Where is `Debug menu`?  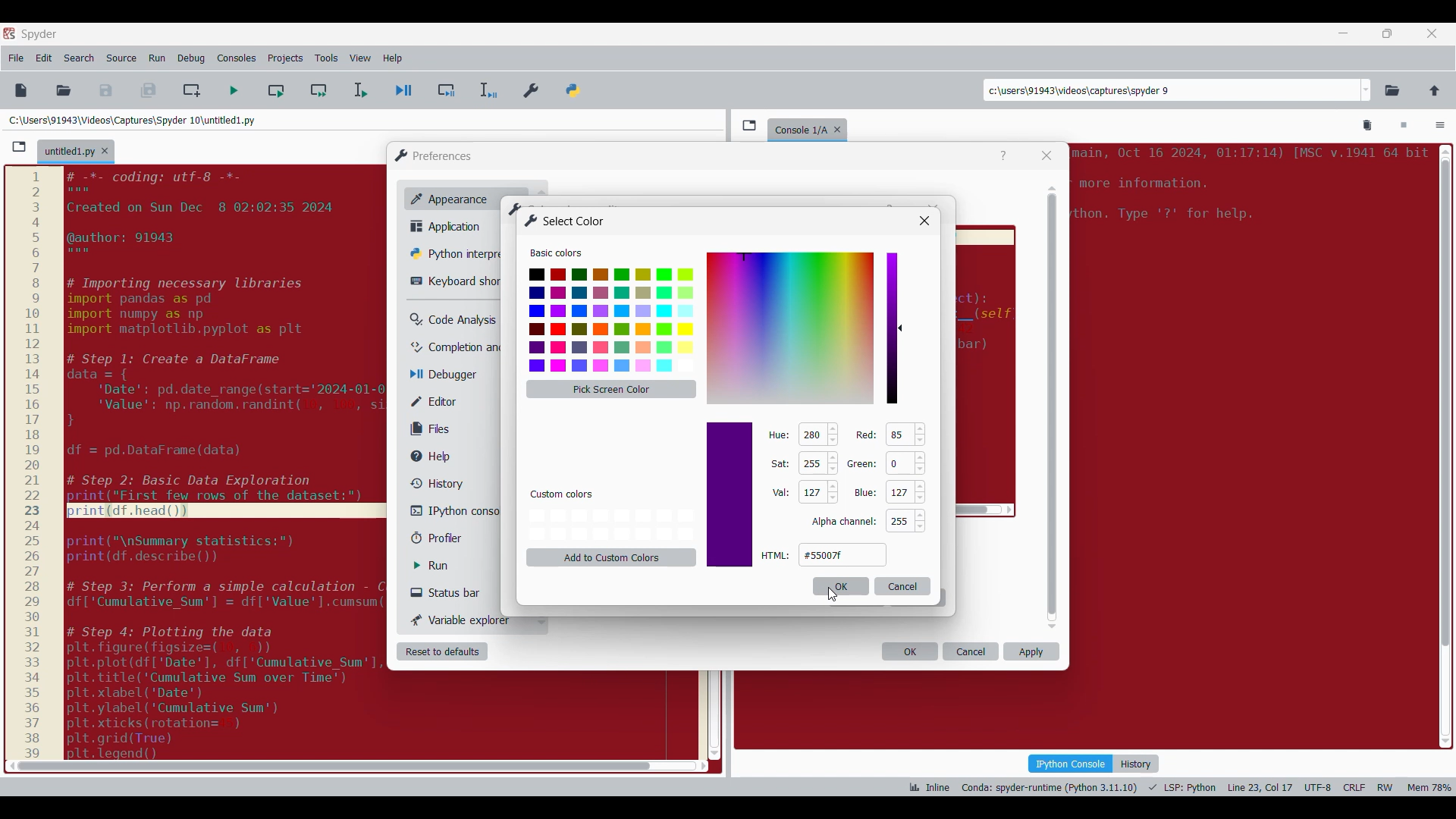
Debug menu is located at coordinates (191, 58).